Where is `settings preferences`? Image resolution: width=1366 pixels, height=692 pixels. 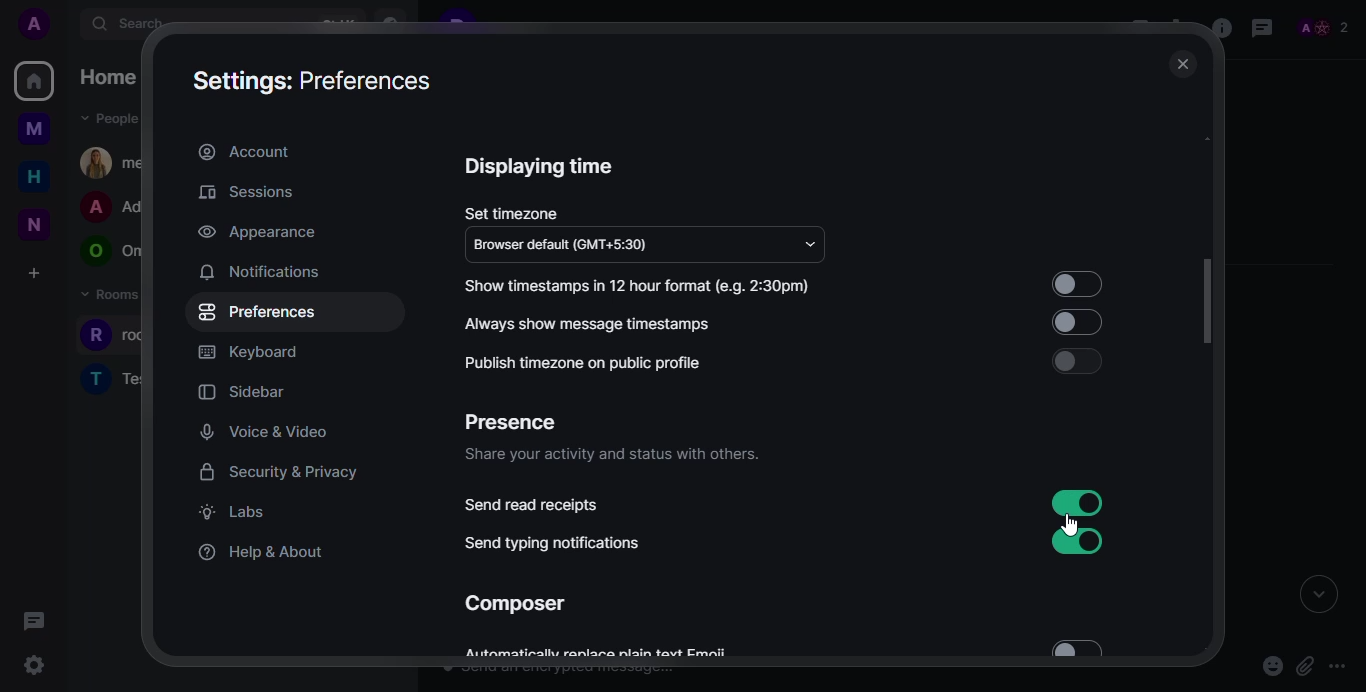 settings preferences is located at coordinates (315, 82).